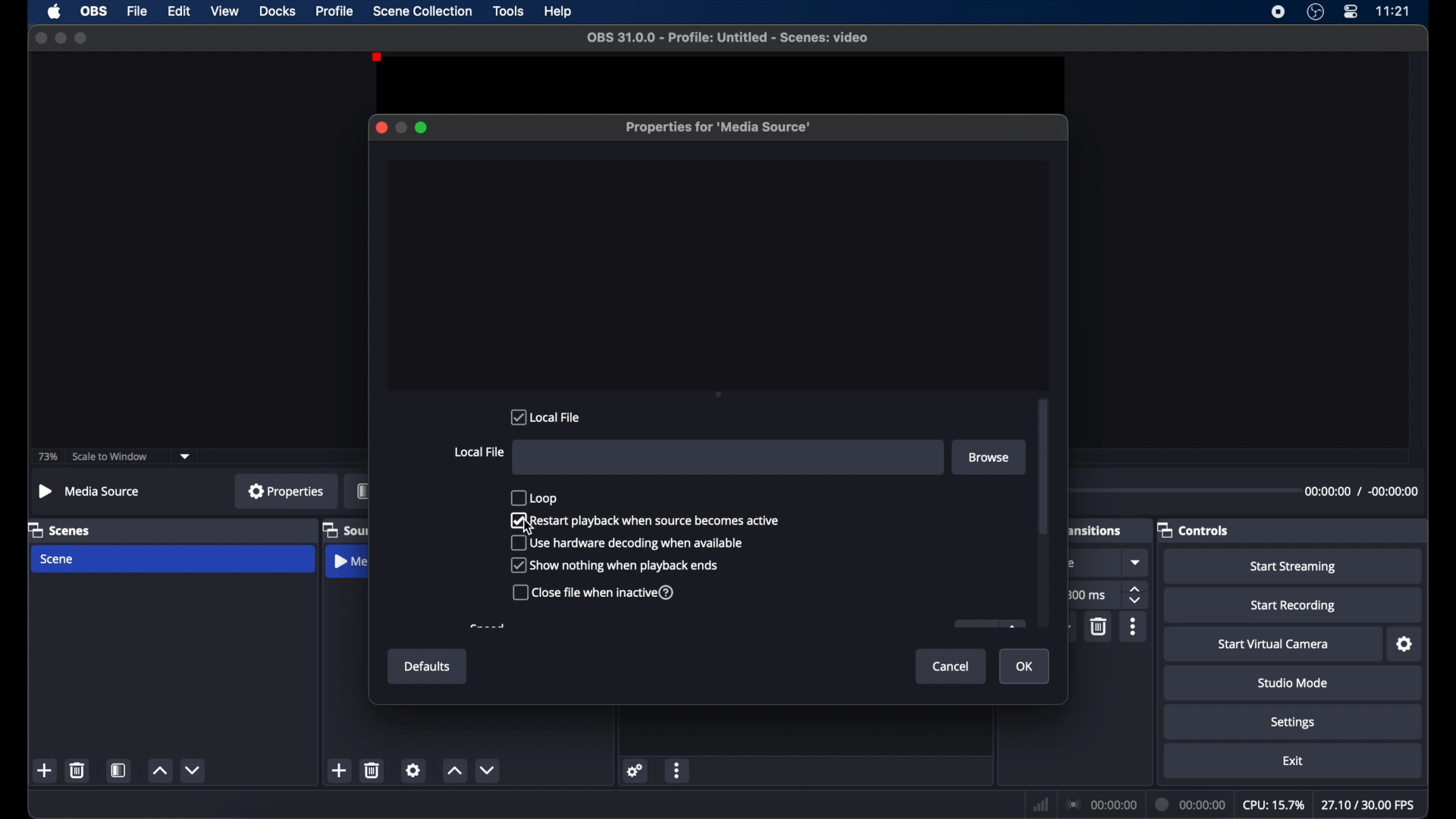 This screenshot has width=1456, height=819. I want to click on obscure text, so click(487, 626).